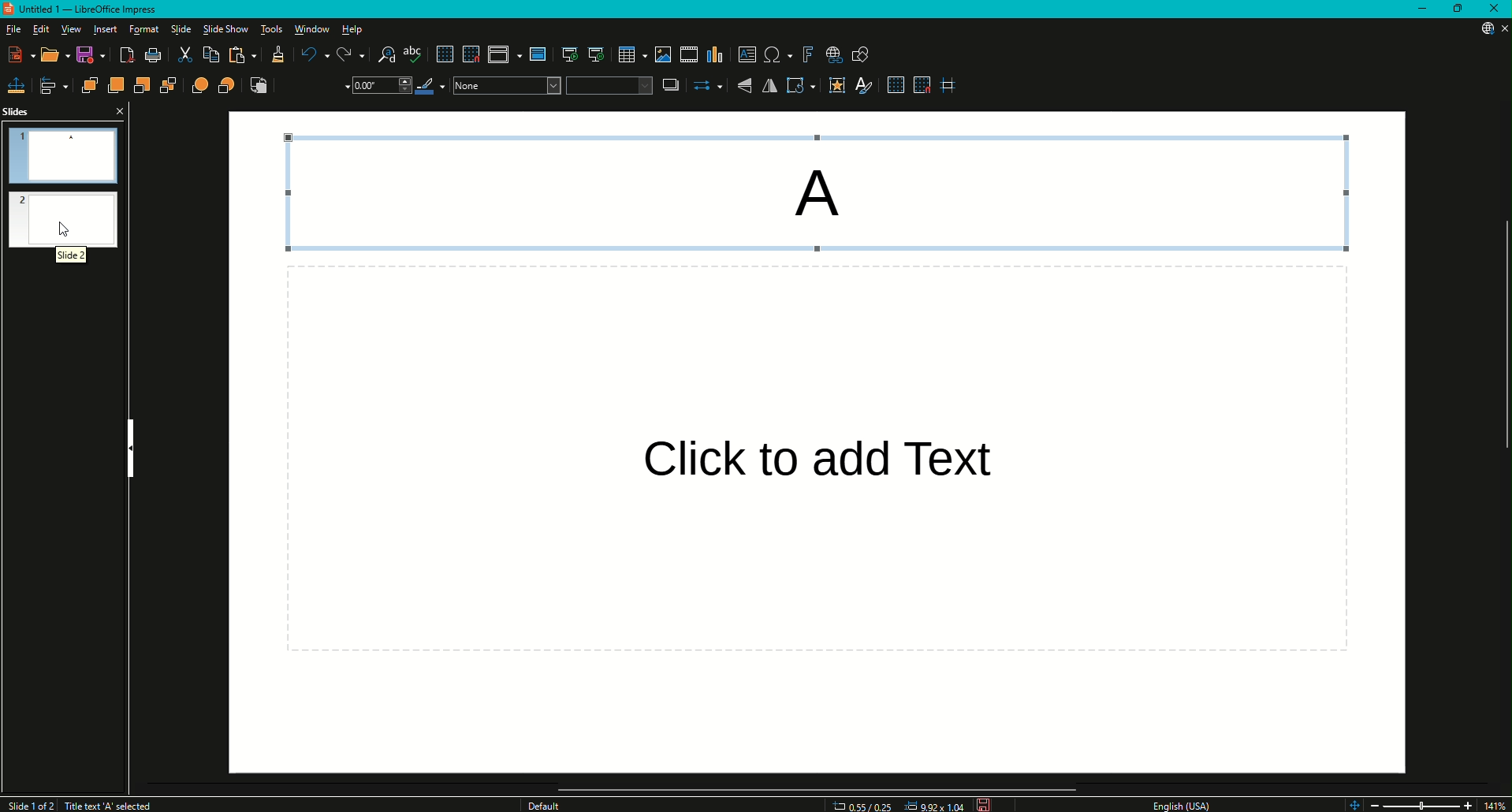  What do you see at coordinates (111, 804) in the screenshot?
I see `Title text A selected` at bounding box center [111, 804].